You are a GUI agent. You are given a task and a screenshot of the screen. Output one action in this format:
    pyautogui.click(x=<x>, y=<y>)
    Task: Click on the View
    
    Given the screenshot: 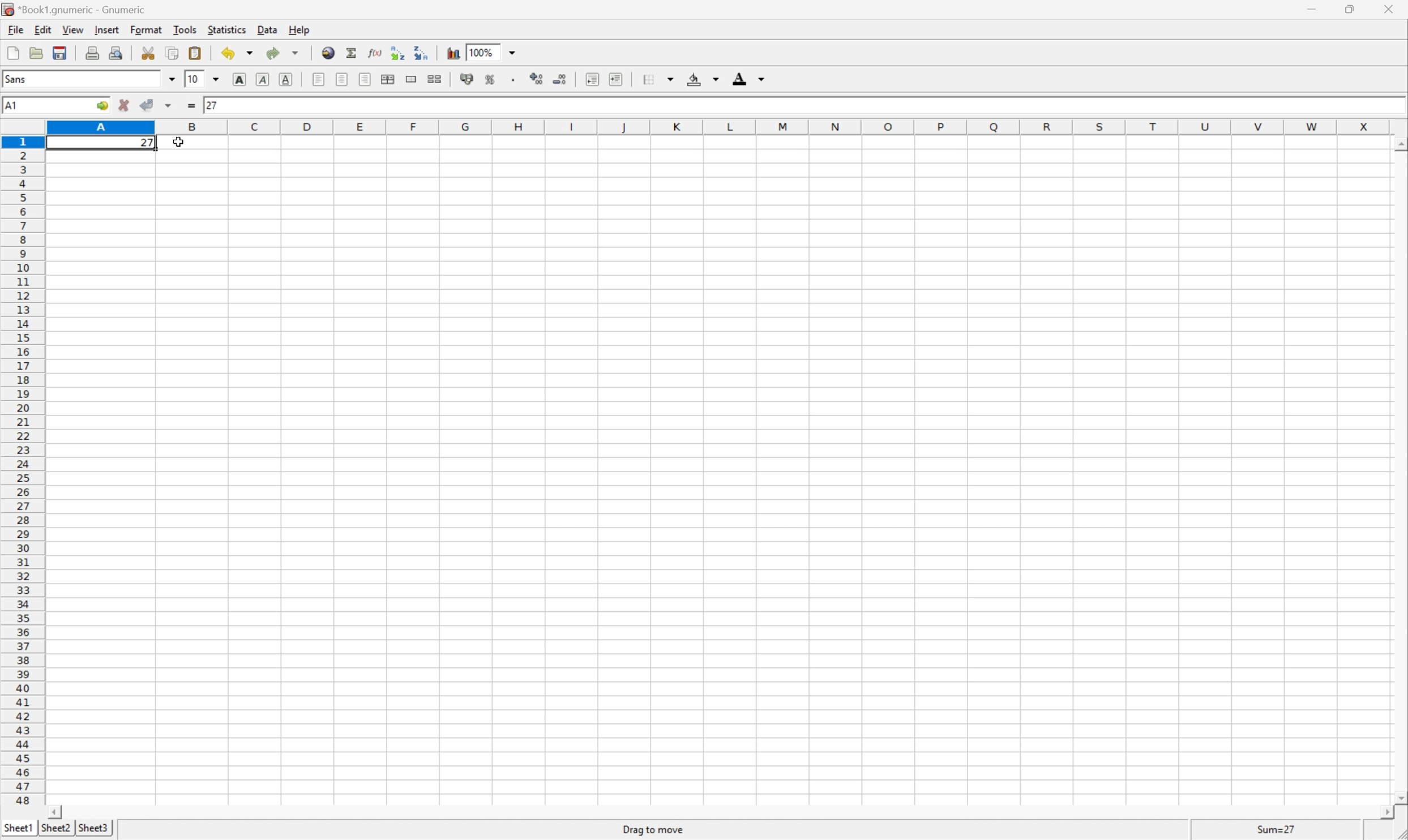 What is the action you would take?
    pyautogui.click(x=73, y=29)
    